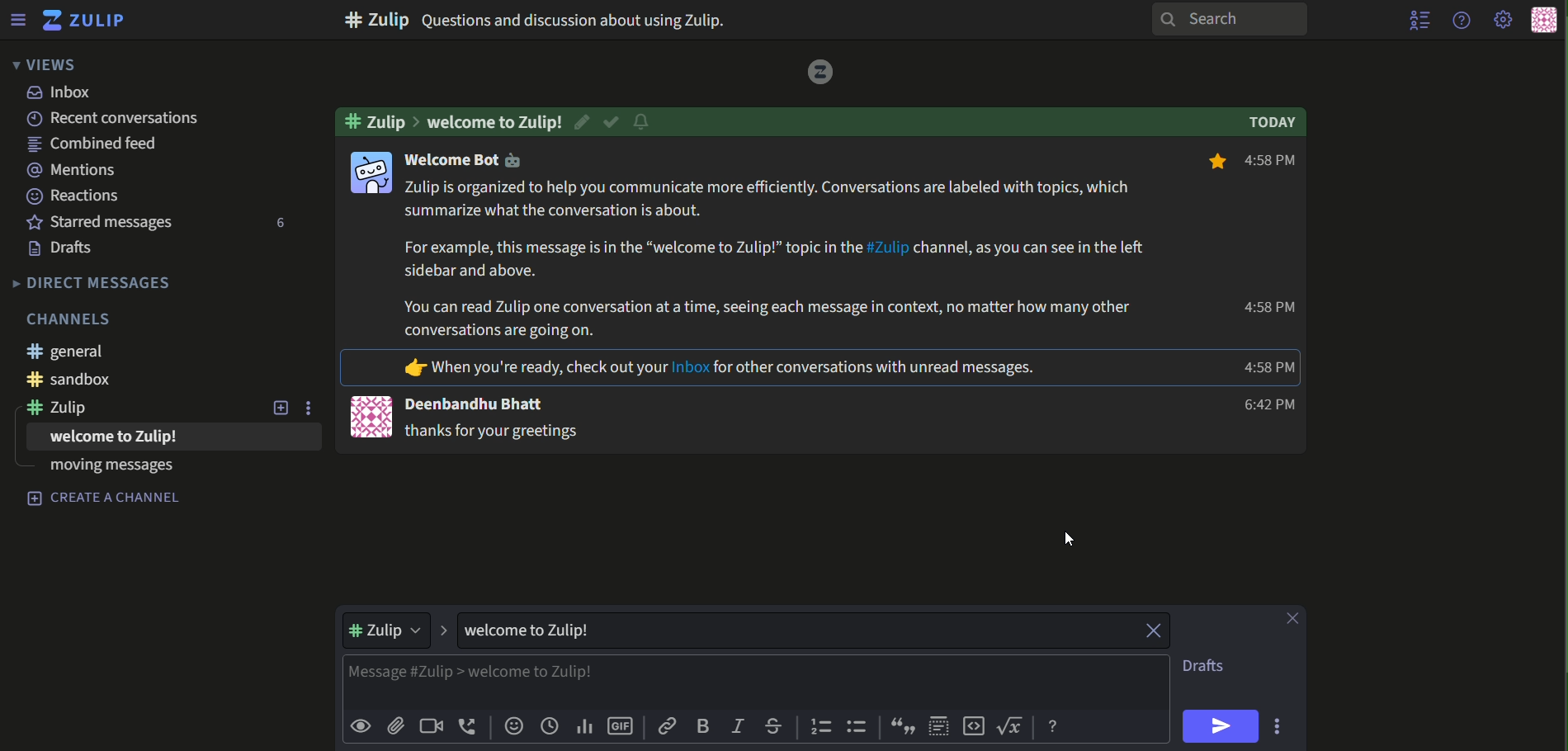 This screenshot has width=1568, height=751. Describe the element at coordinates (93, 282) in the screenshot. I see `text` at that location.